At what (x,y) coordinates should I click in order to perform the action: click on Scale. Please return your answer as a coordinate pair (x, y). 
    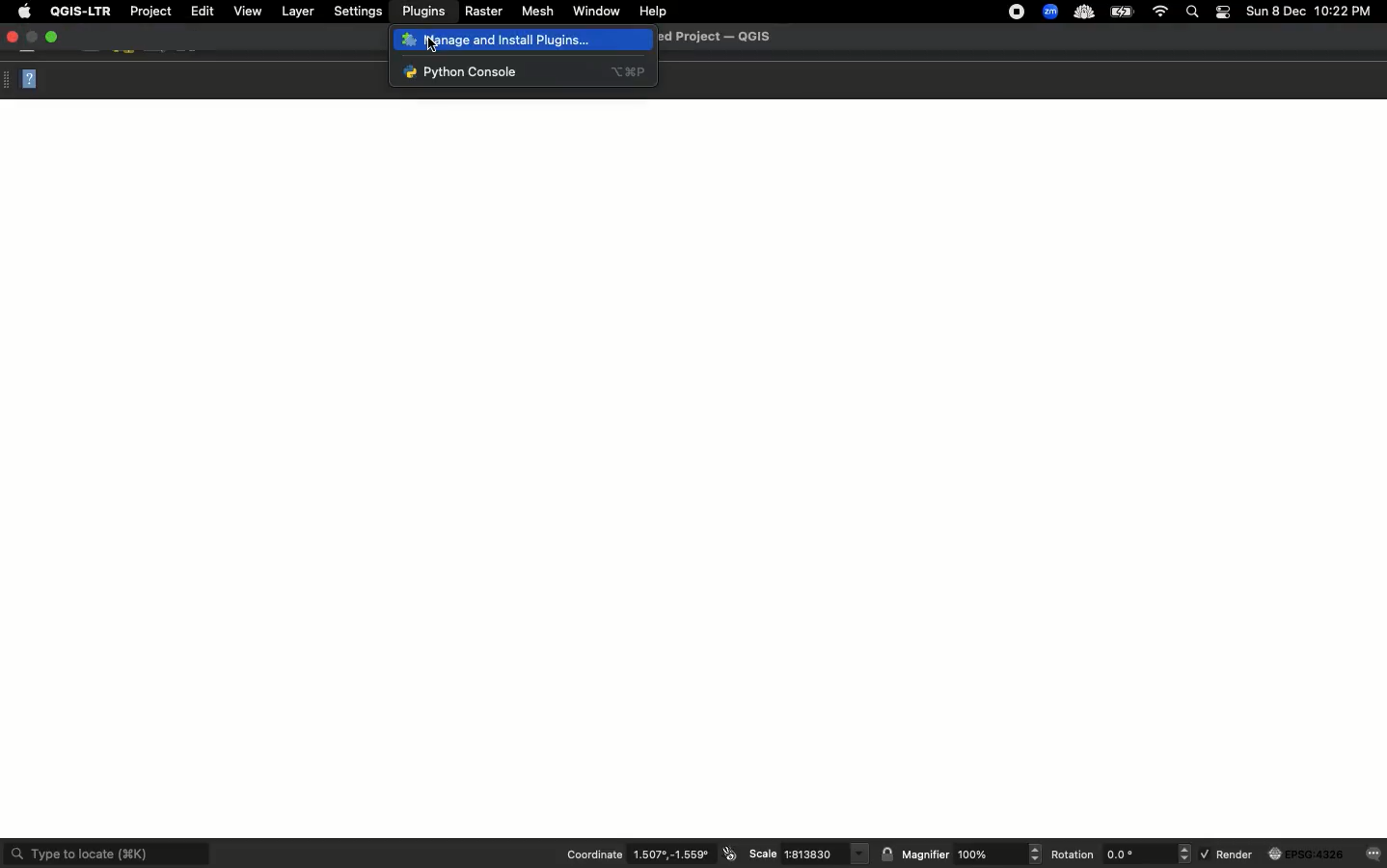
    Looking at the image, I should click on (827, 854).